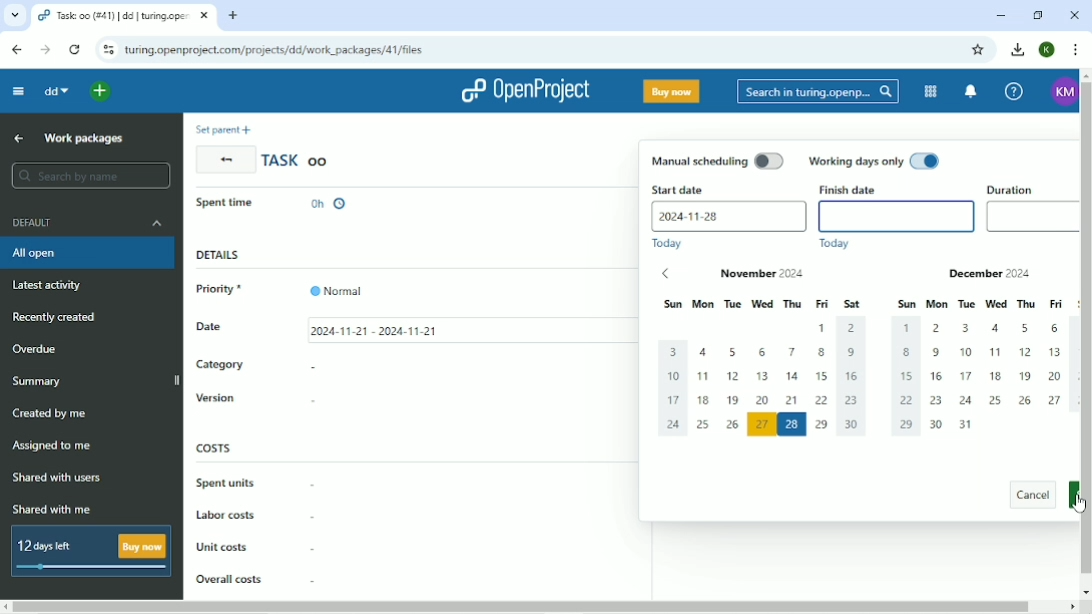  What do you see at coordinates (730, 216) in the screenshot?
I see `2024-11-28` at bounding box center [730, 216].